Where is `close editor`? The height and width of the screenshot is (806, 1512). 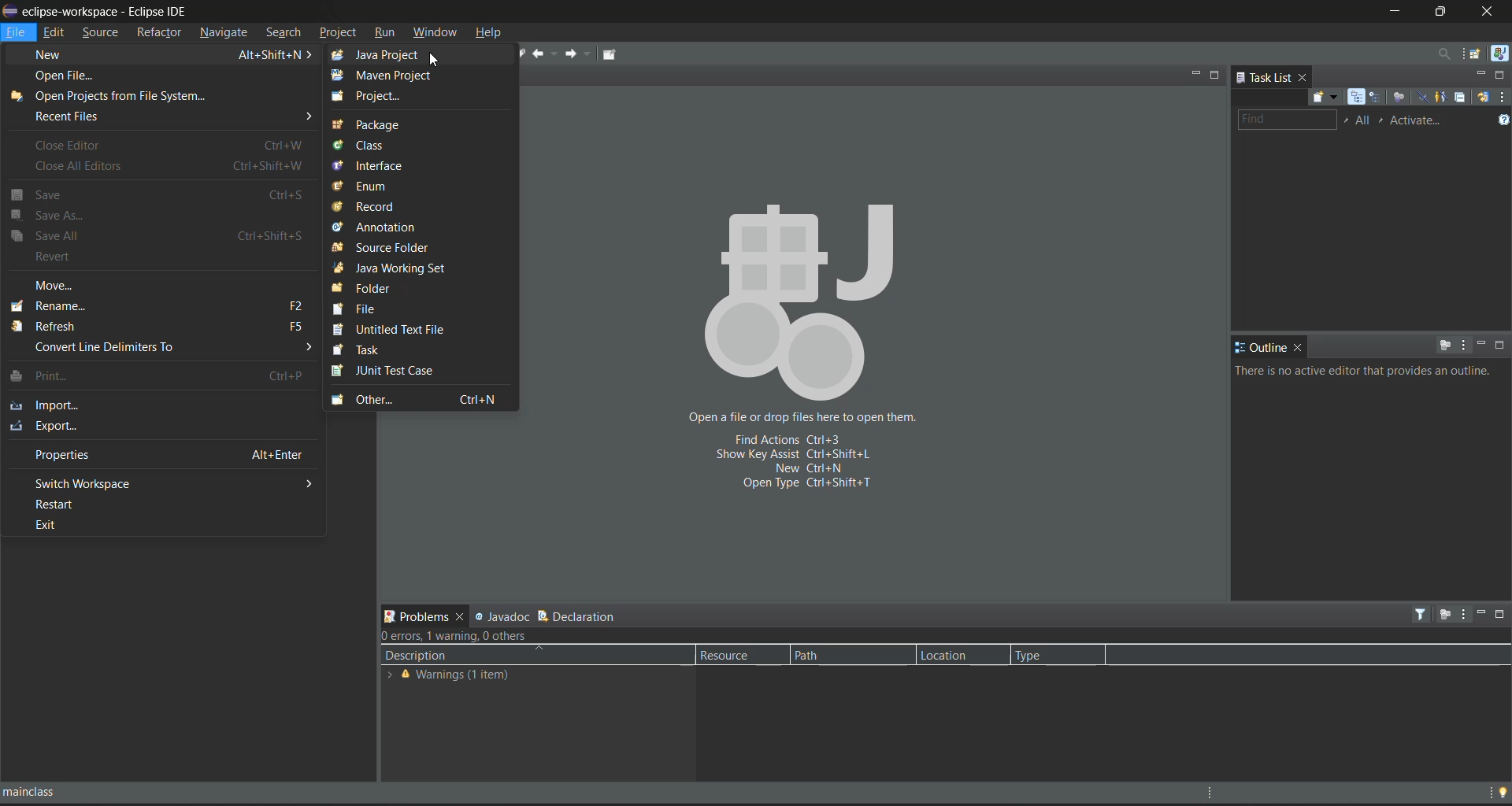
close editor is located at coordinates (169, 146).